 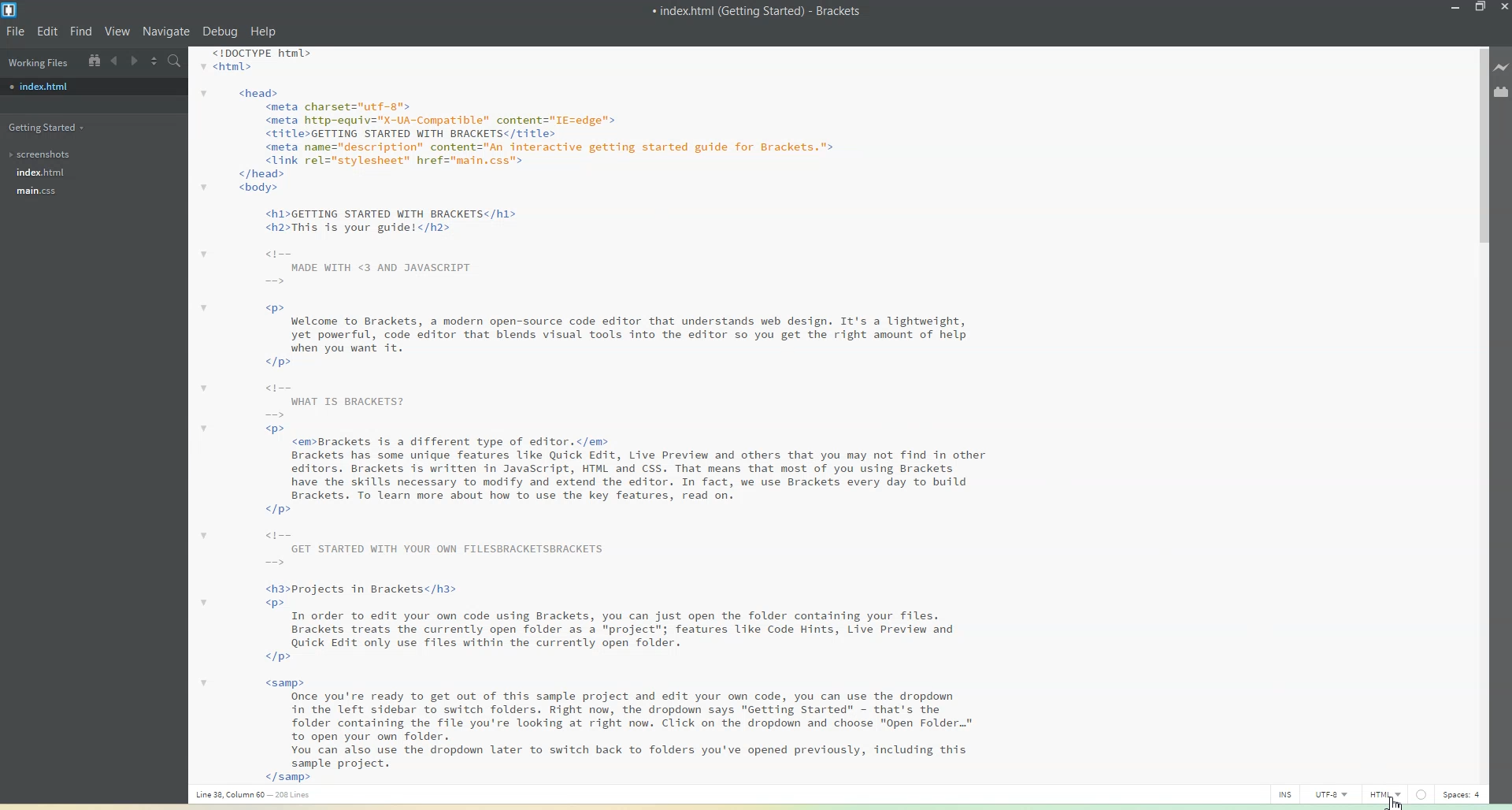 I want to click on Minimize, so click(x=1456, y=8).